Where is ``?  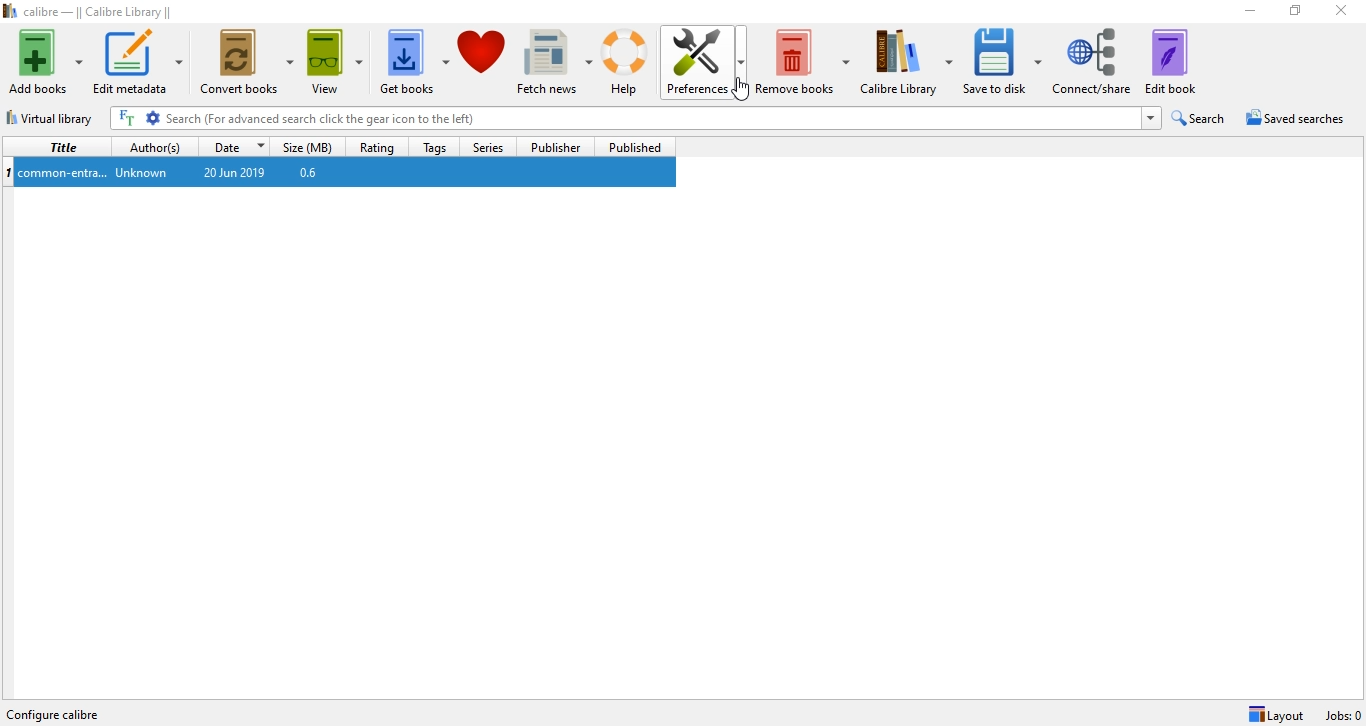
 is located at coordinates (1003, 59).